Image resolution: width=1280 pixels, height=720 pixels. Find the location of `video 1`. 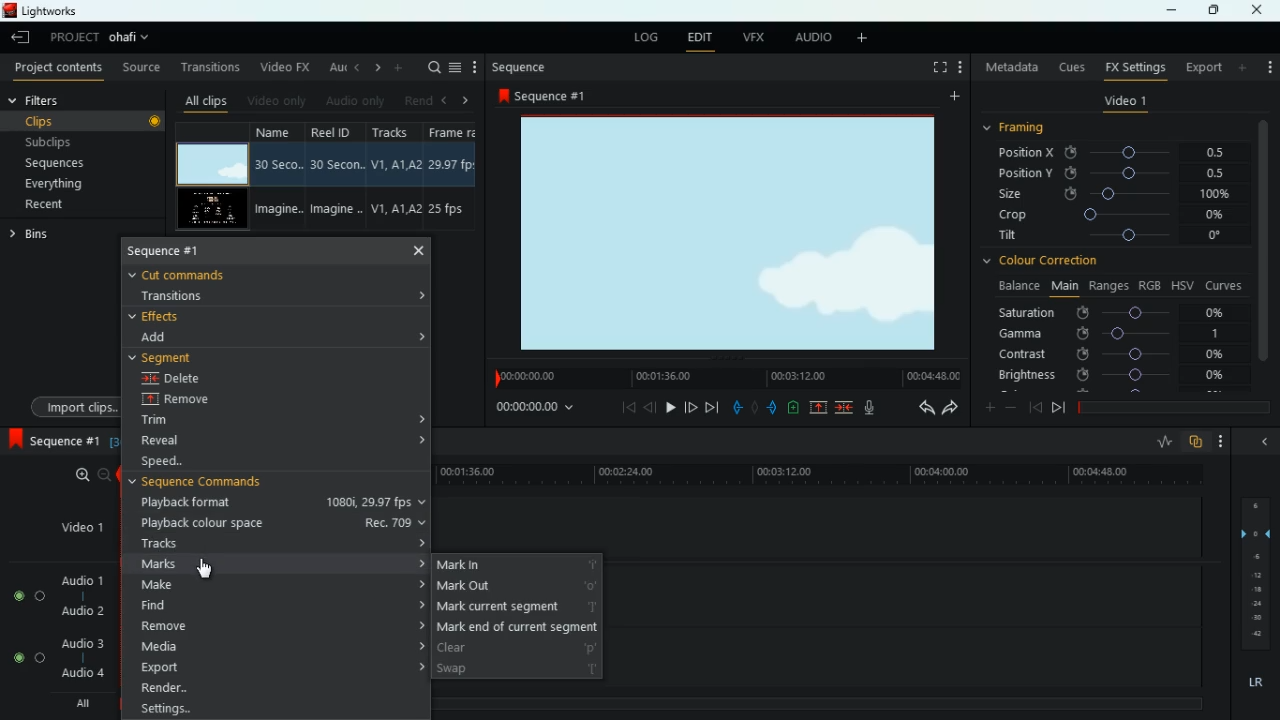

video 1 is located at coordinates (1126, 101).